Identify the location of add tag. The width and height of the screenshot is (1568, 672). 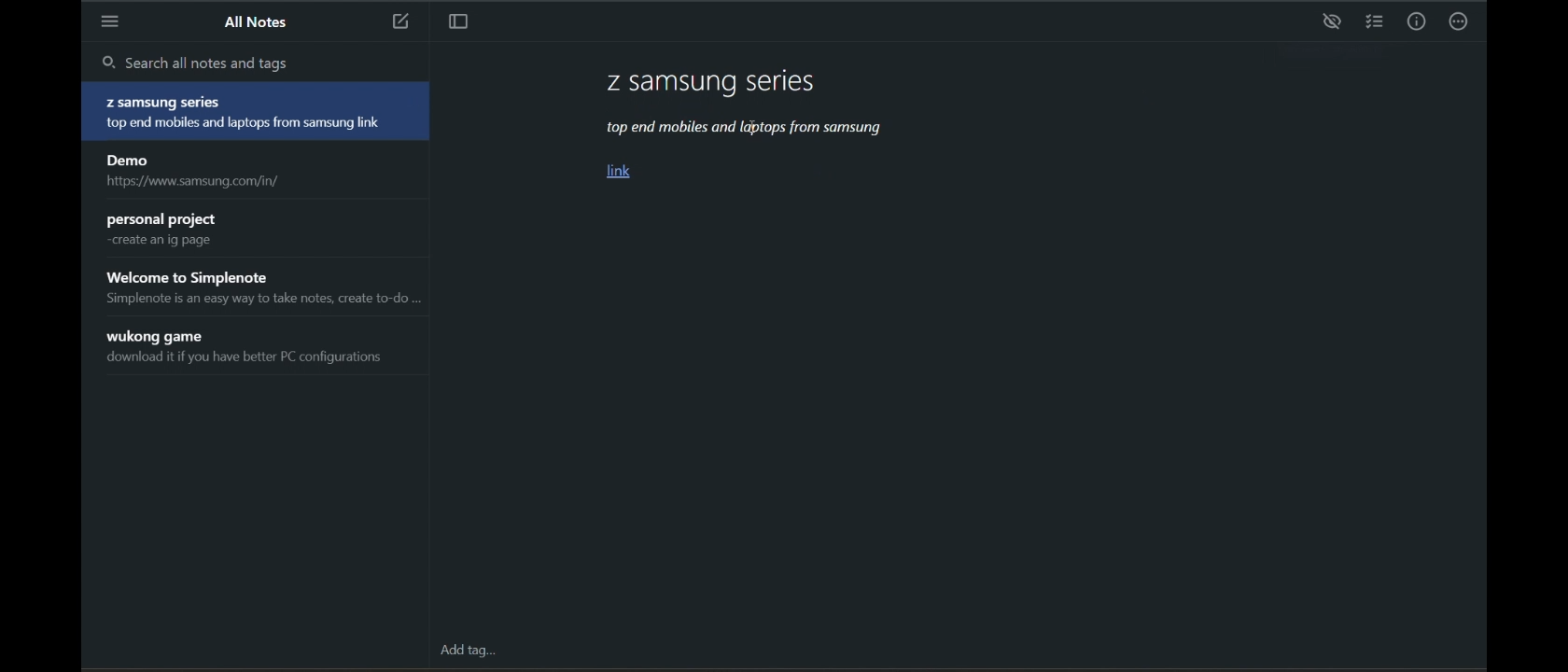
(475, 650).